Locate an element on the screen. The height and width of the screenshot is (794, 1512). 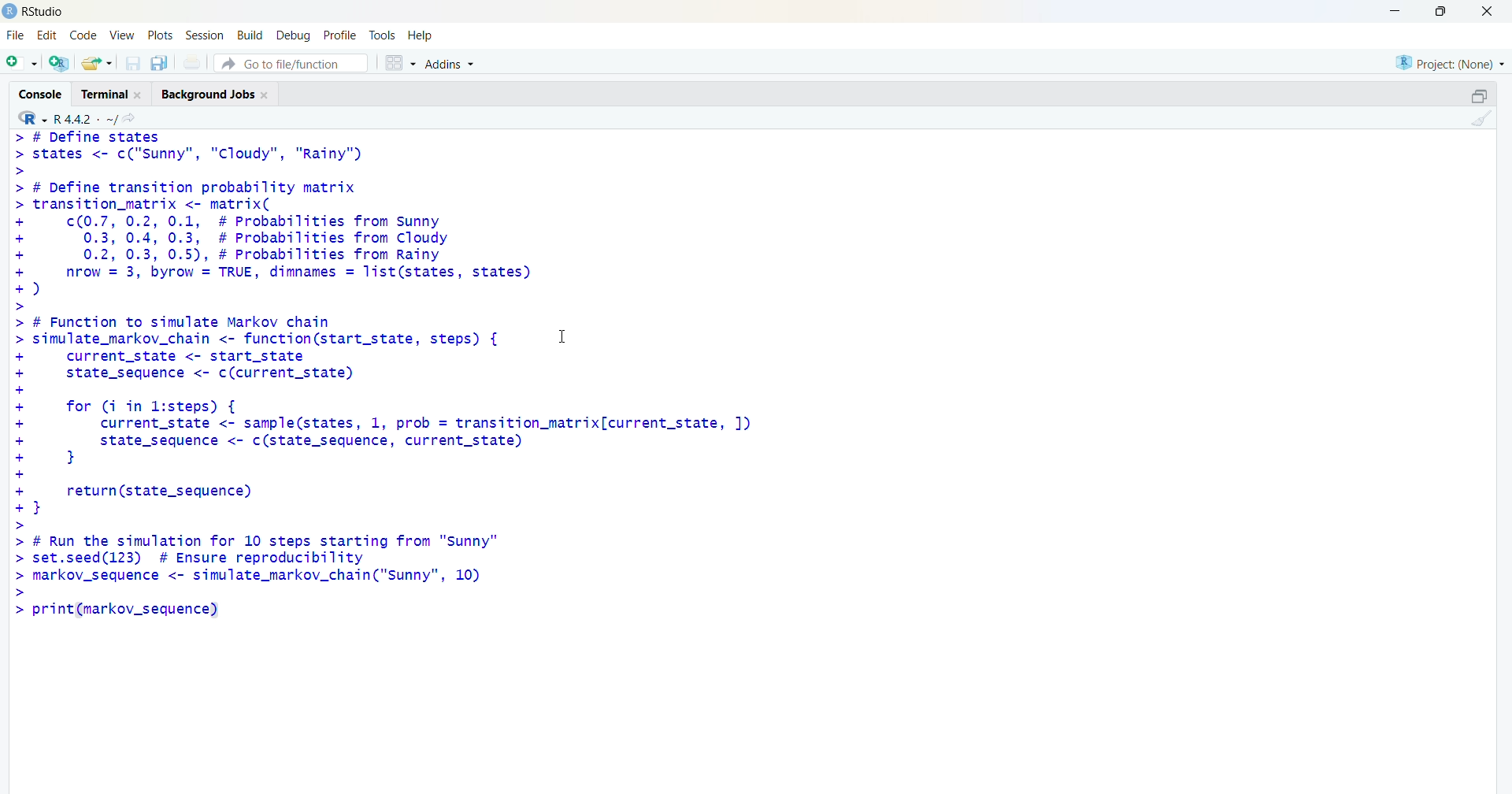
addins is located at coordinates (453, 64).